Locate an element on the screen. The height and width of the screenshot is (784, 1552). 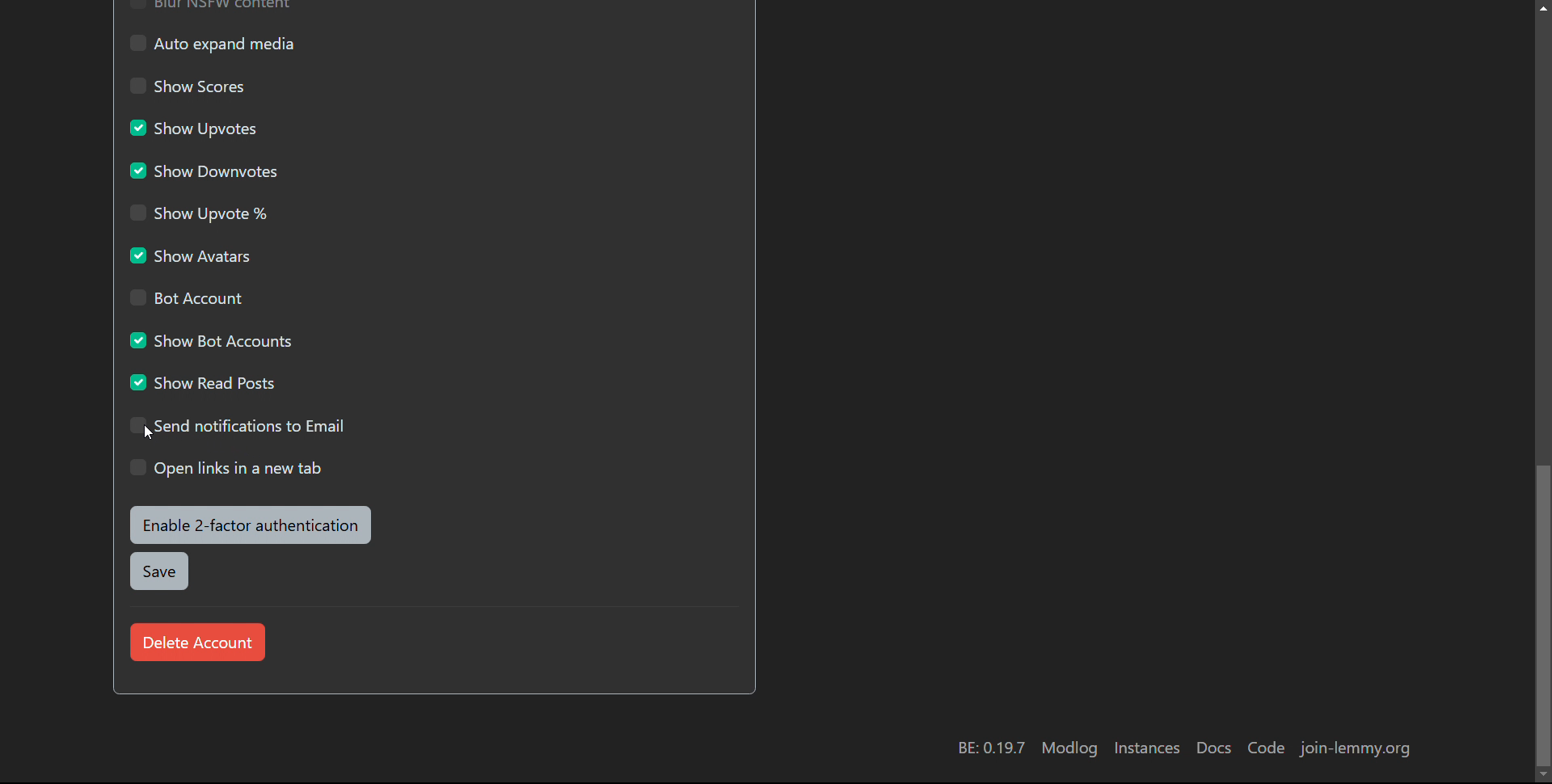
bot account is located at coordinates (183, 297).